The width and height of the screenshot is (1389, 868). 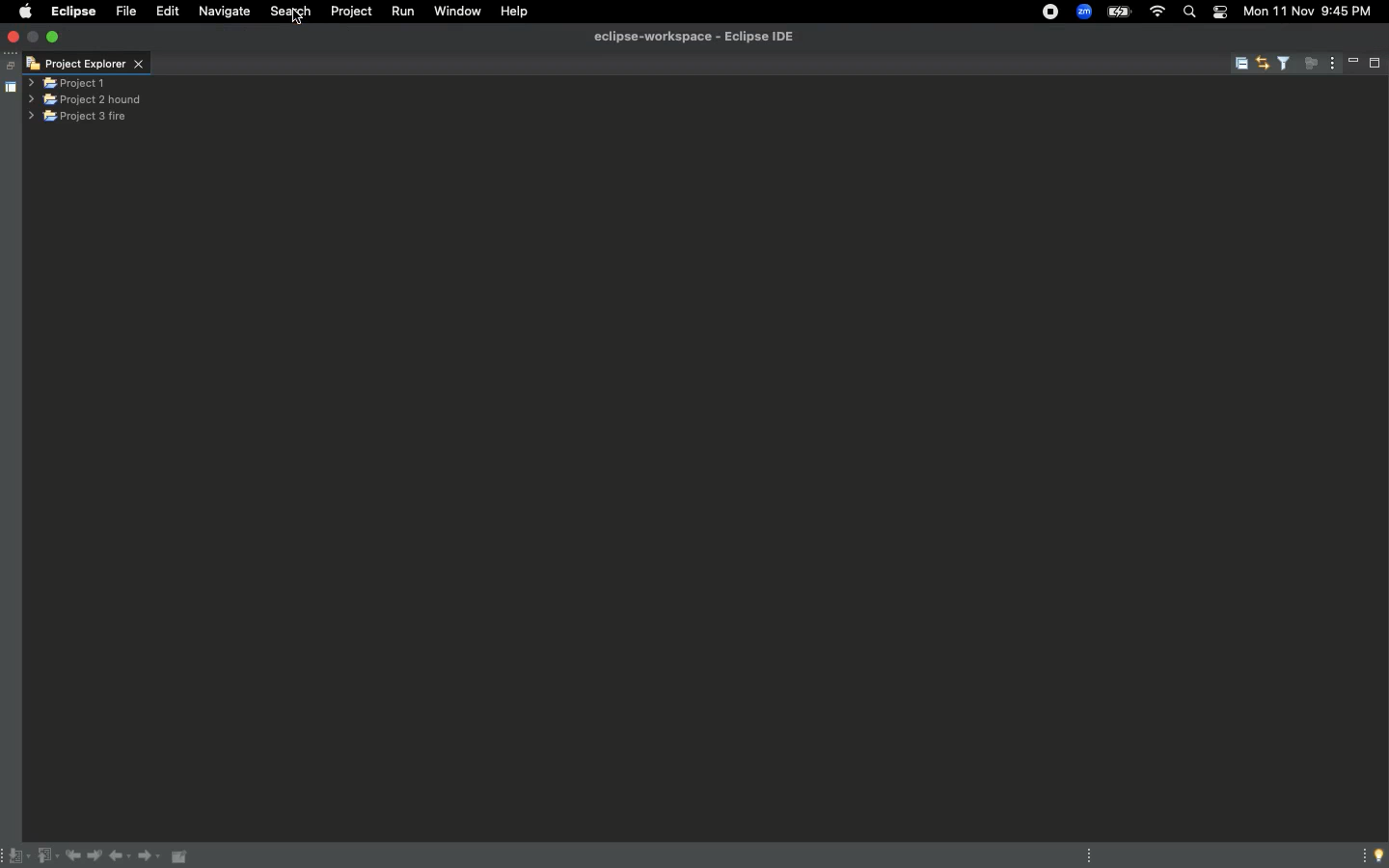 What do you see at coordinates (1118, 12) in the screenshot?
I see `Charge` at bounding box center [1118, 12].